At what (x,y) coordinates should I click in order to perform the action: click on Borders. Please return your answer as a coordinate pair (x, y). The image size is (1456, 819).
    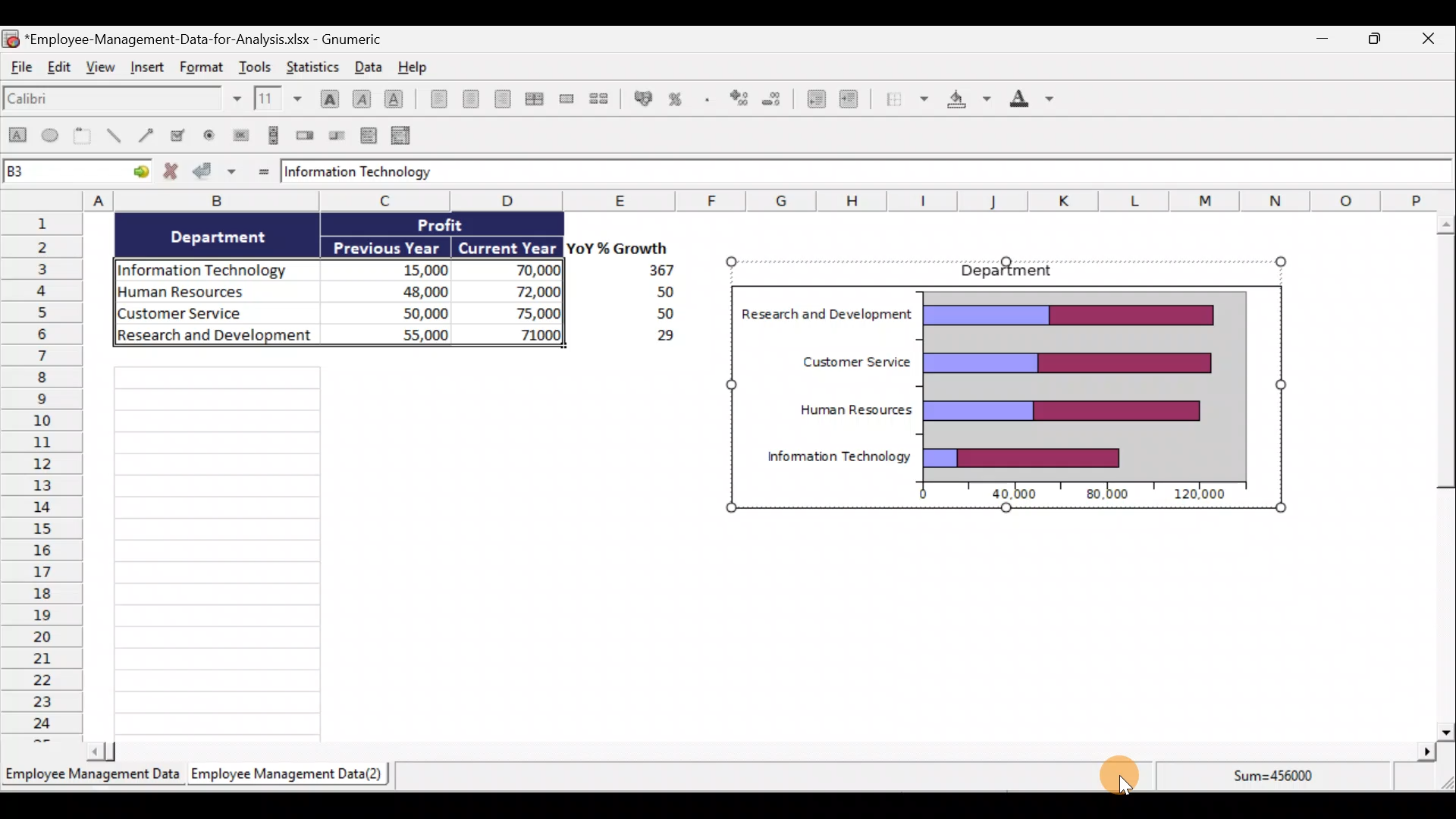
    Looking at the image, I should click on (906, 102).